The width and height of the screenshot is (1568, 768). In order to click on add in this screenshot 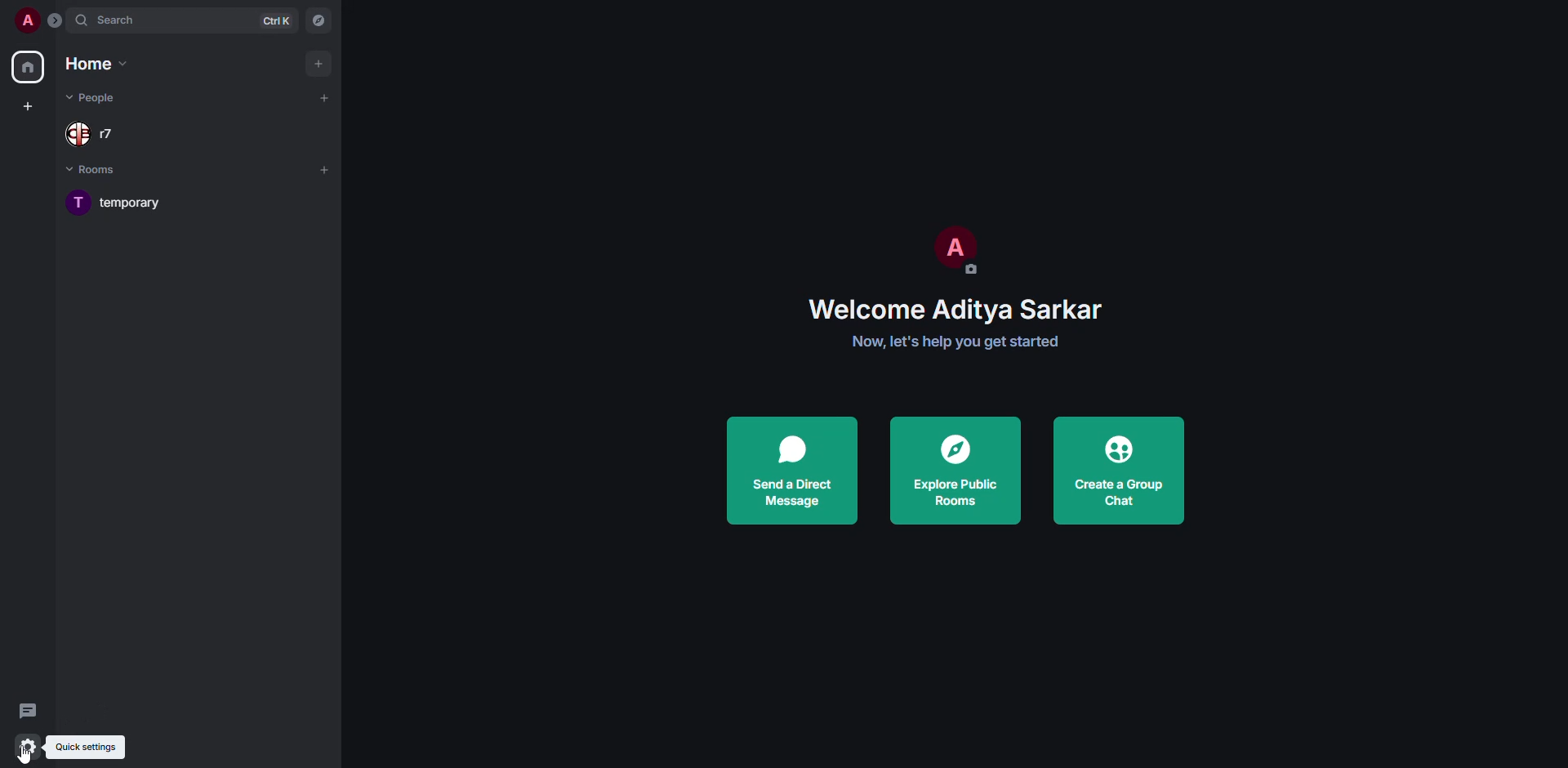, I will do `click(325, 96)`.